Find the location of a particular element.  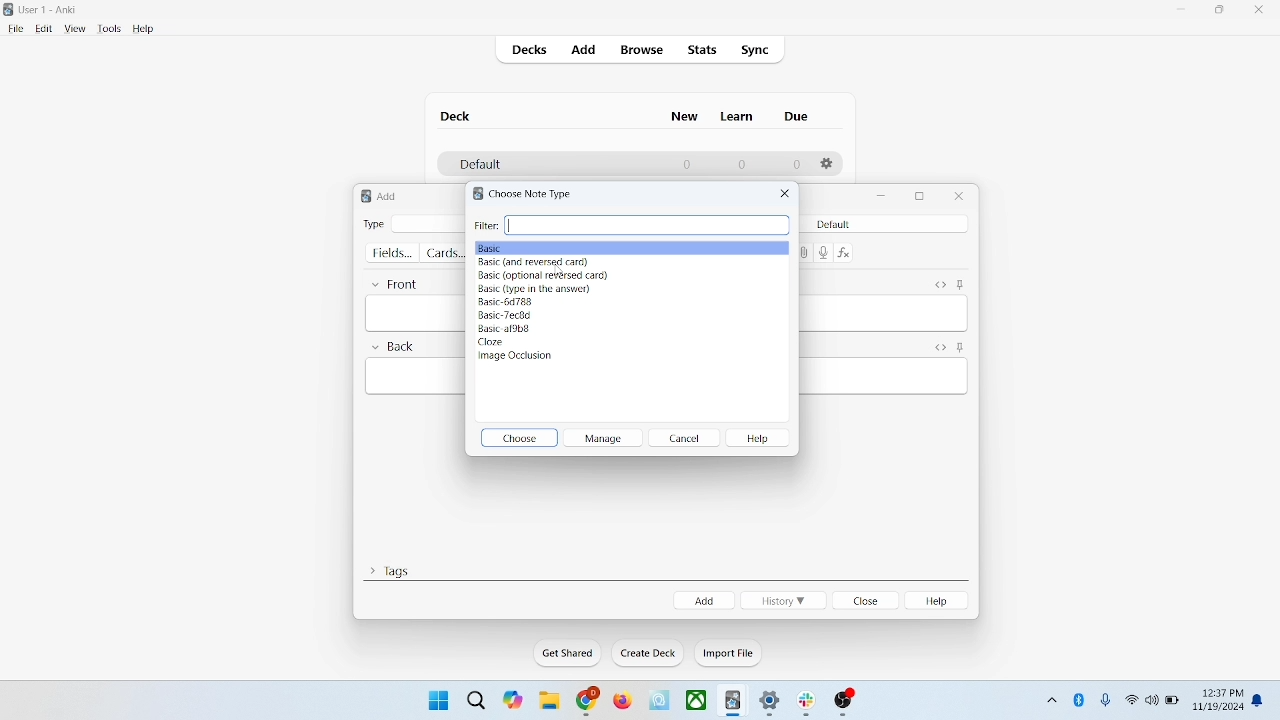

0 is located at coordinates (796, 165).